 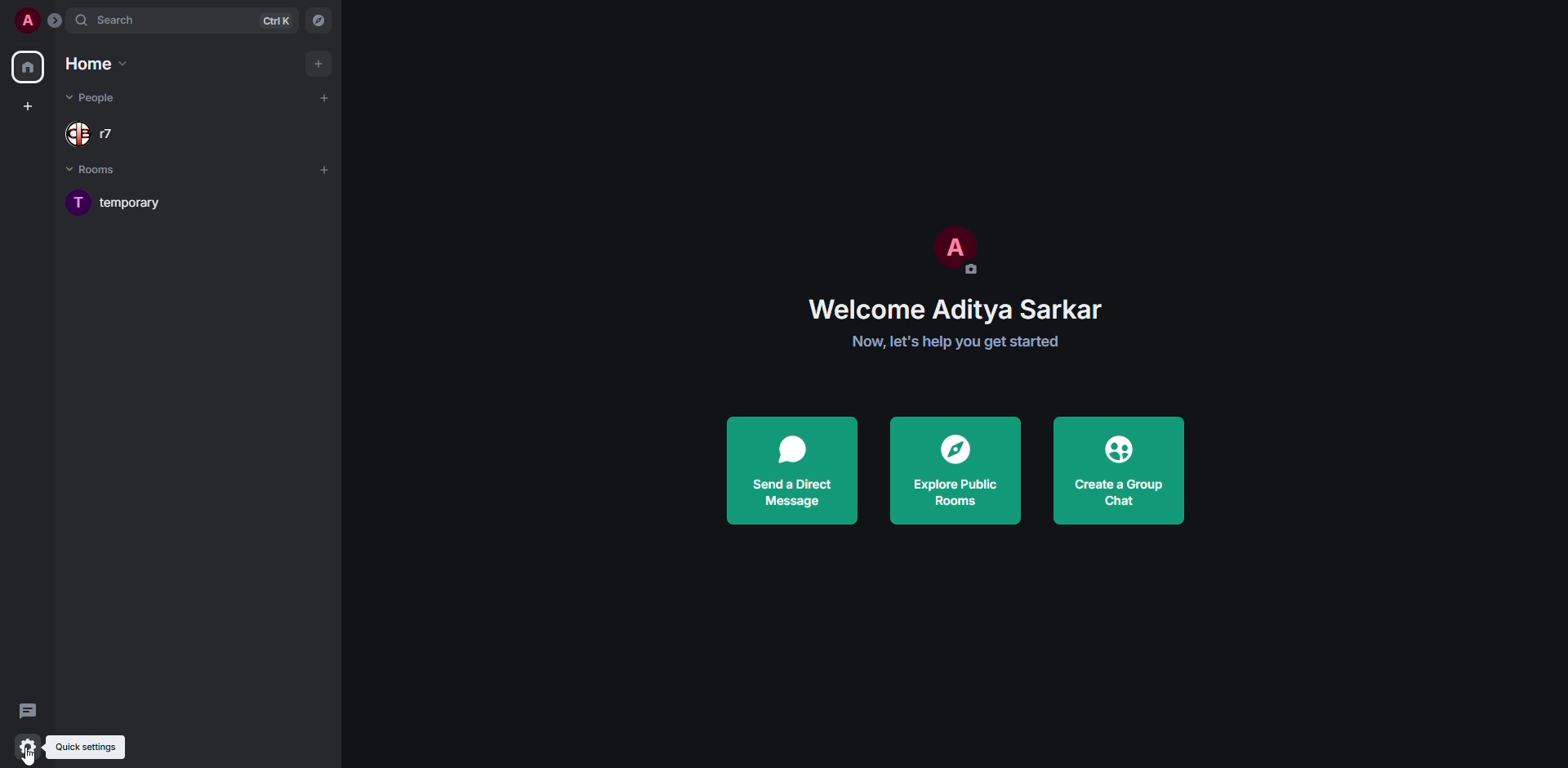 I want to click on home, so click(x=29, y=67).